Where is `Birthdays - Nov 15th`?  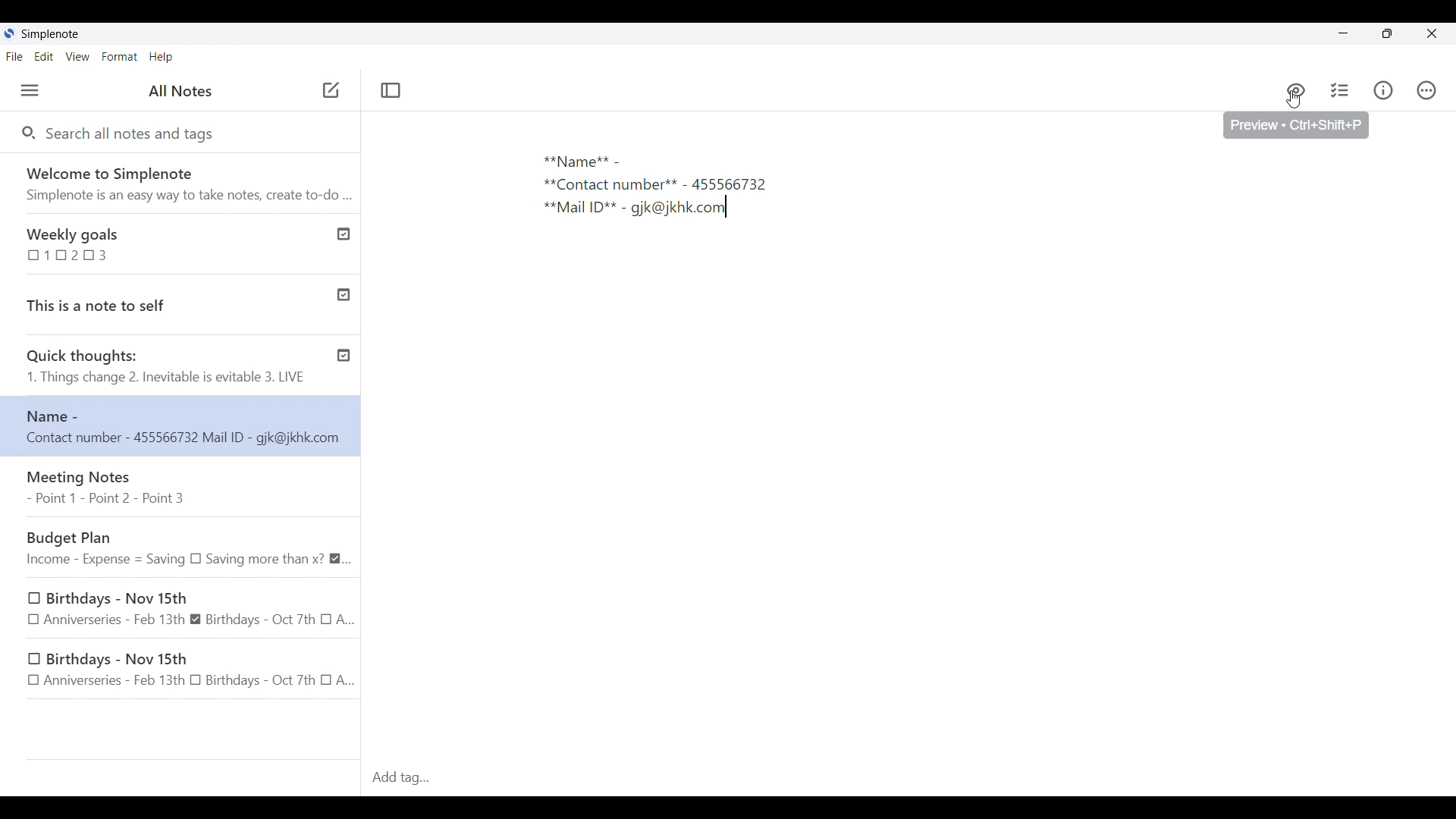
Birthdays - Nov 15th is located at coordinates (184, 671).